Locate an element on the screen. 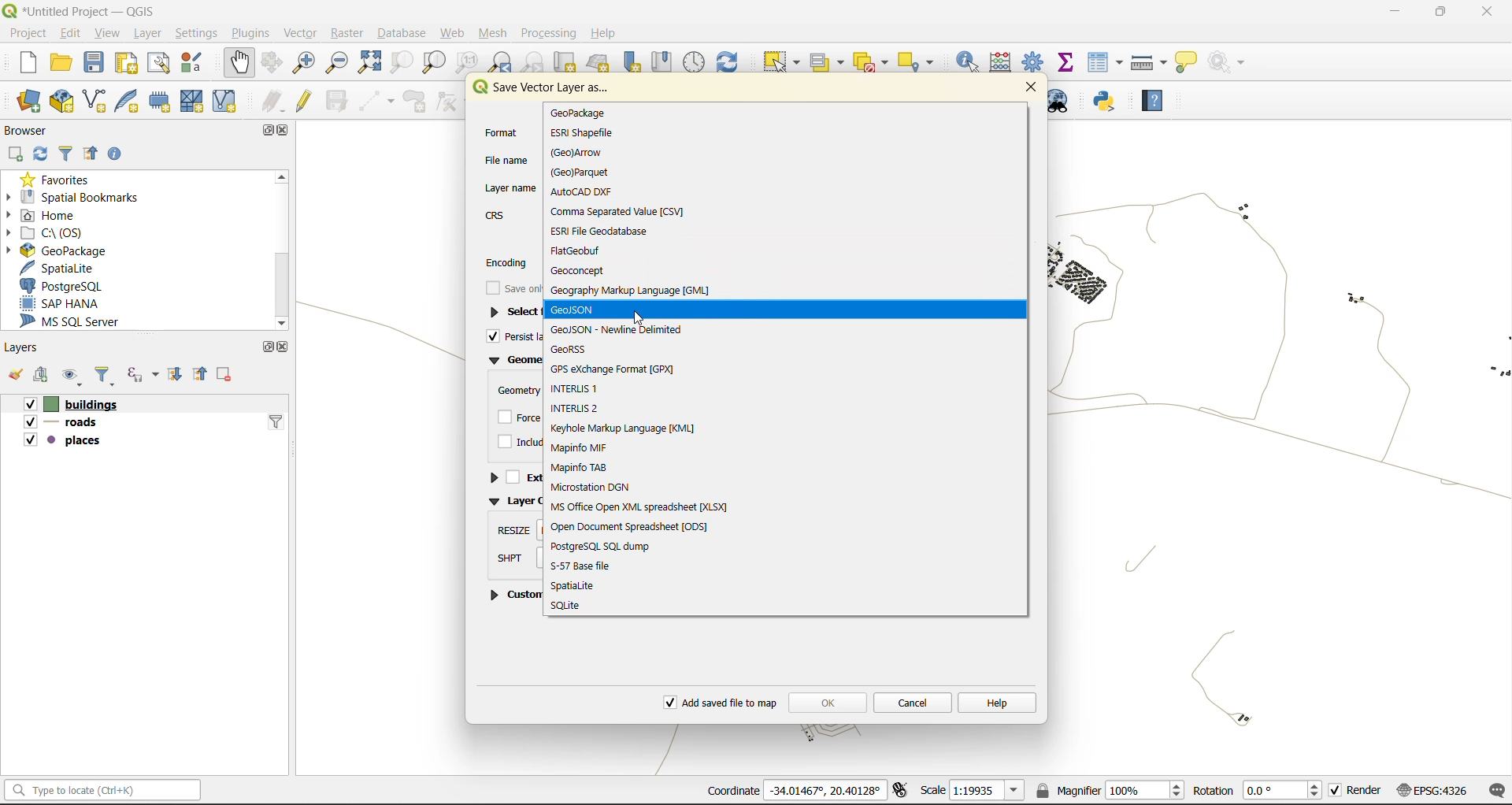 The width and height of the screenshot is (1512, 805). postgresql is located at coordinates (66, 286).